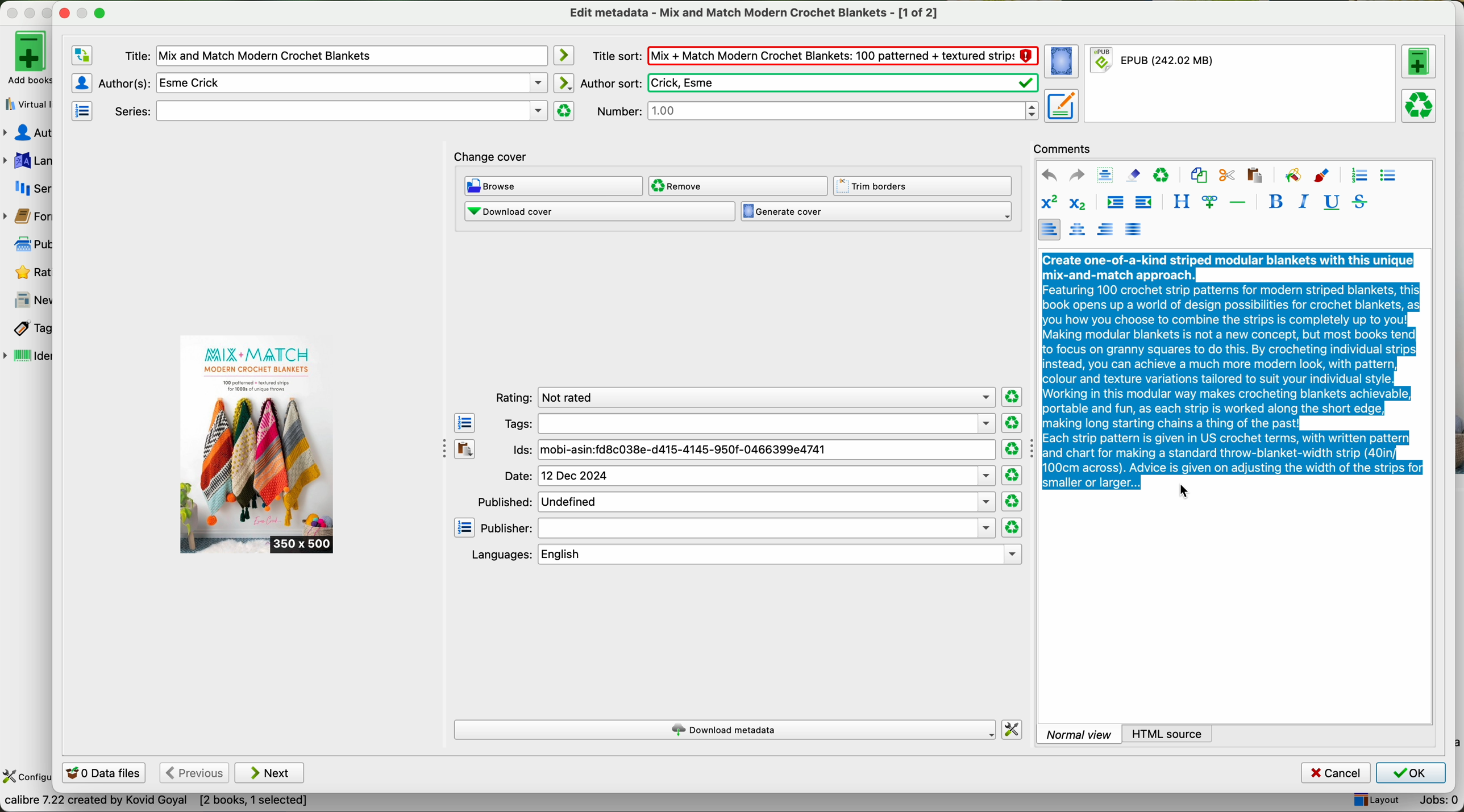 This screenshot has height=812, width=1464. What do you see at coordinates (748, 423) in the screenshot?
I see `tags` at bounding box center [748, 423].